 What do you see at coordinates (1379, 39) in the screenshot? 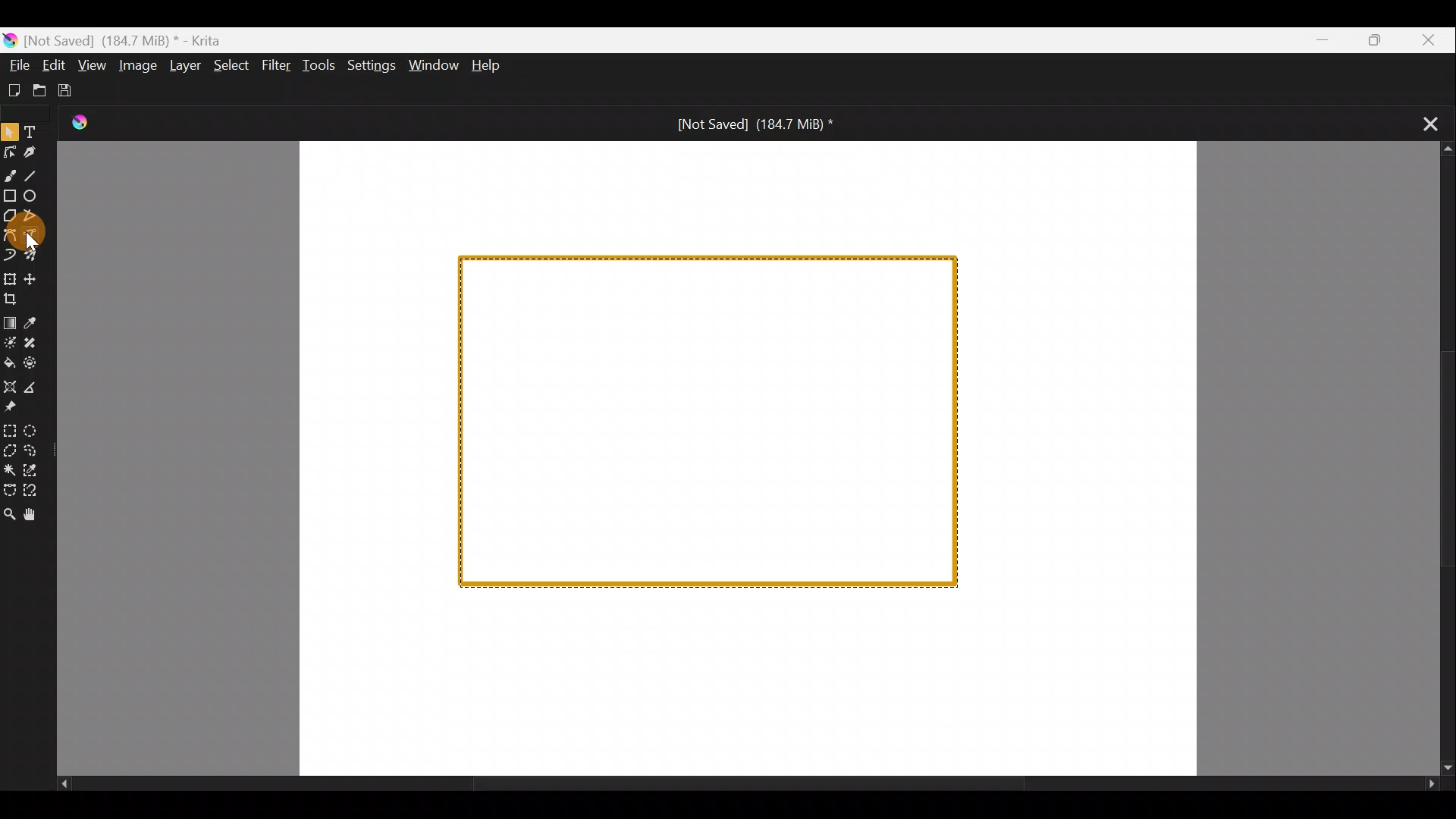
I see `Maximize` at bounding box center [1379, 39].